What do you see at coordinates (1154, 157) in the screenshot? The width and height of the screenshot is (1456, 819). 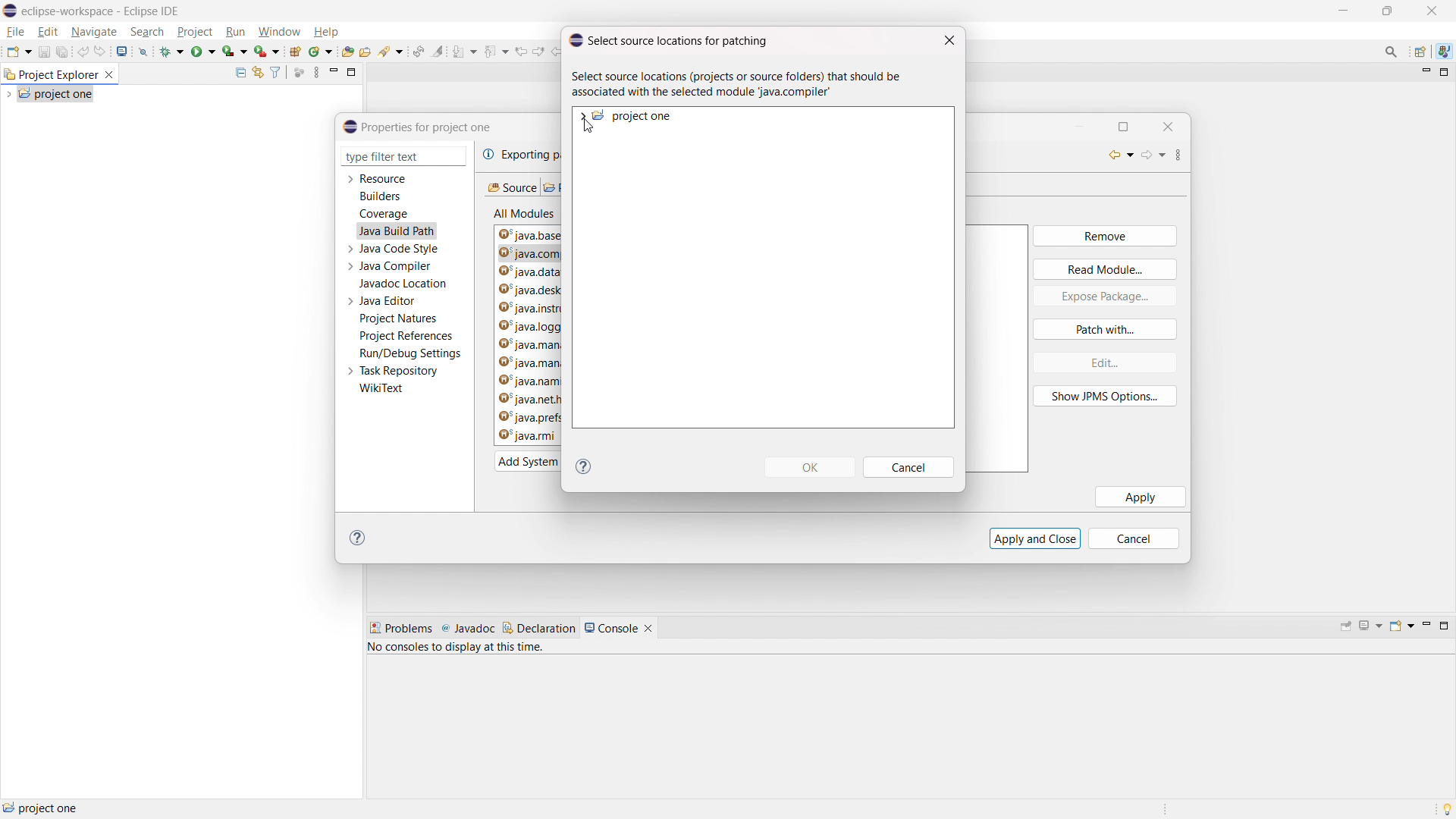 I see `forward` at bounding box center [1154, 157].